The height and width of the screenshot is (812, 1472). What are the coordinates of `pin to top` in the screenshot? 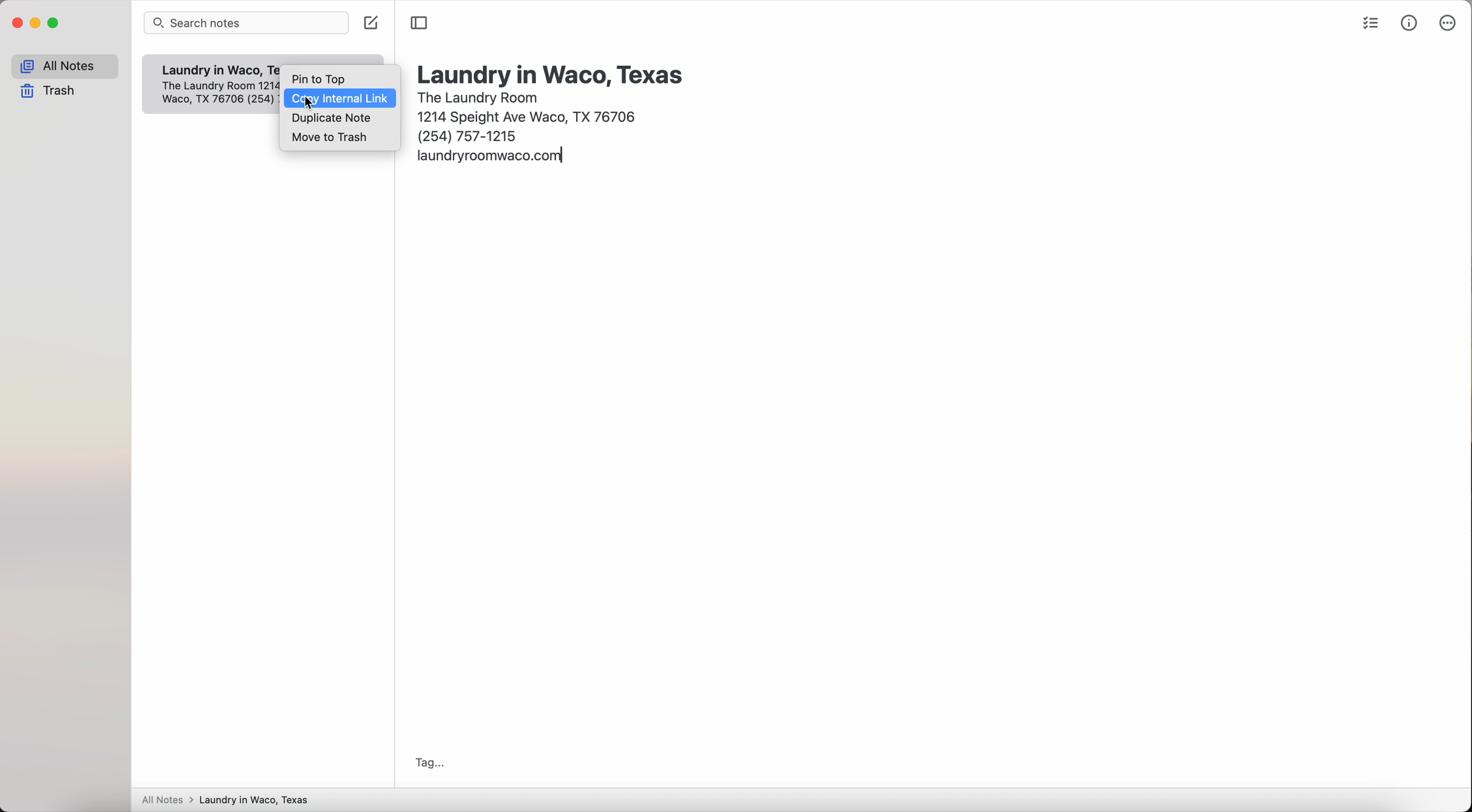 It's located at (318, 78).